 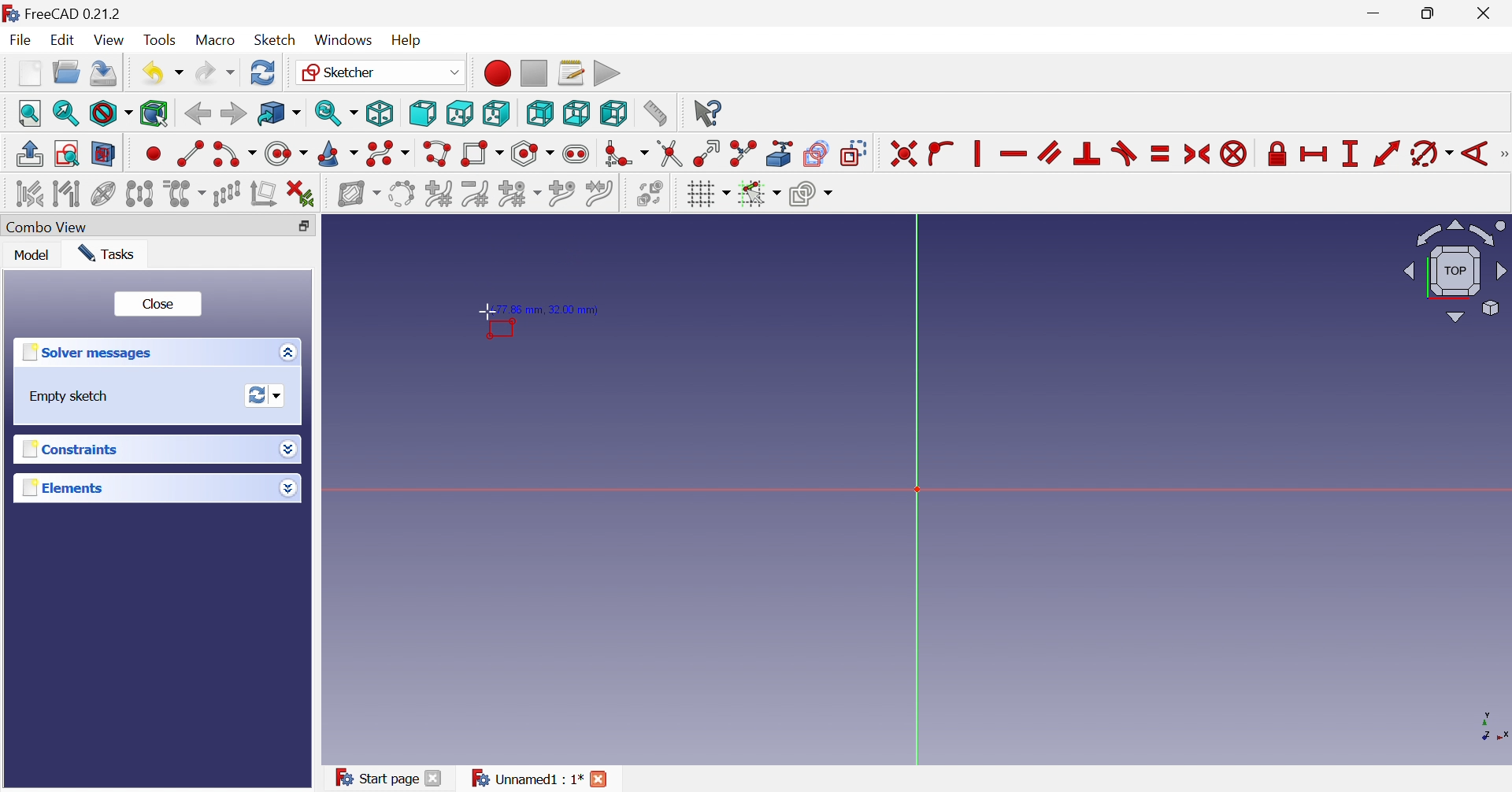 What do you see at coordinates (1198, 154) in the screenshot?
I see `Constrain symmertical` at bounding box center [1198, 154].